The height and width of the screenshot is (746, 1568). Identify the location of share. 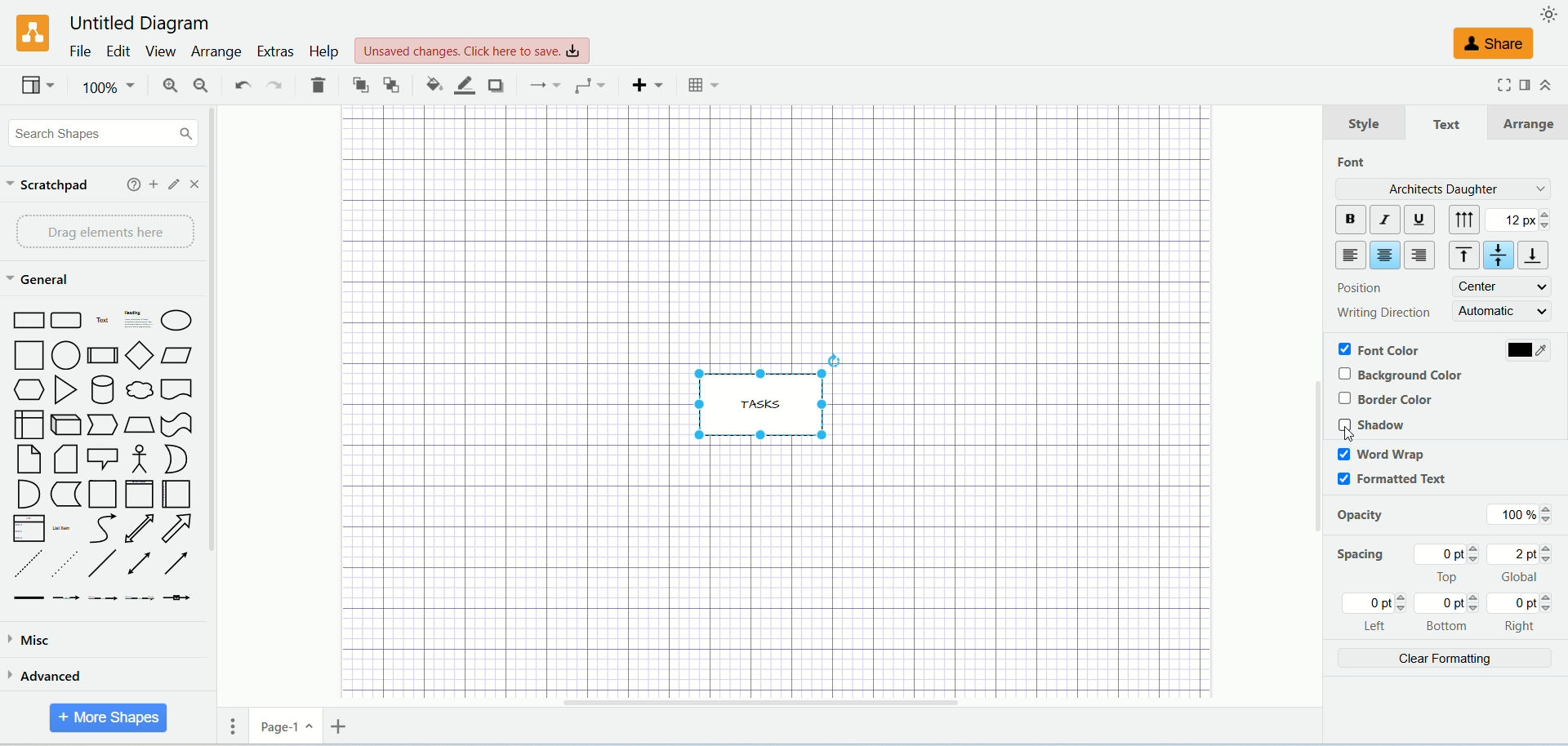
(1495, 45).